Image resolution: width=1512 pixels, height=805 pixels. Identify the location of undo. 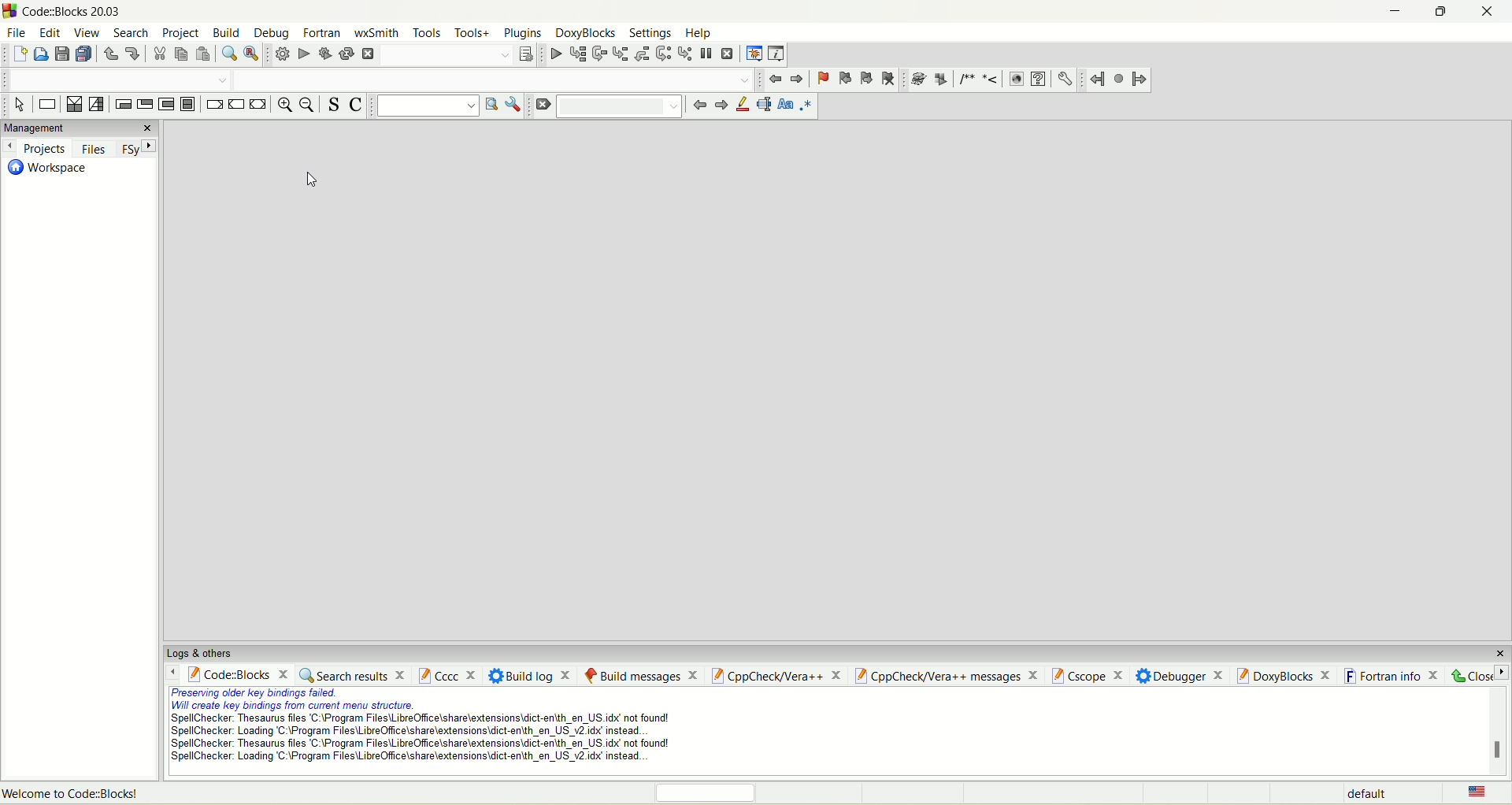
(112, 54).